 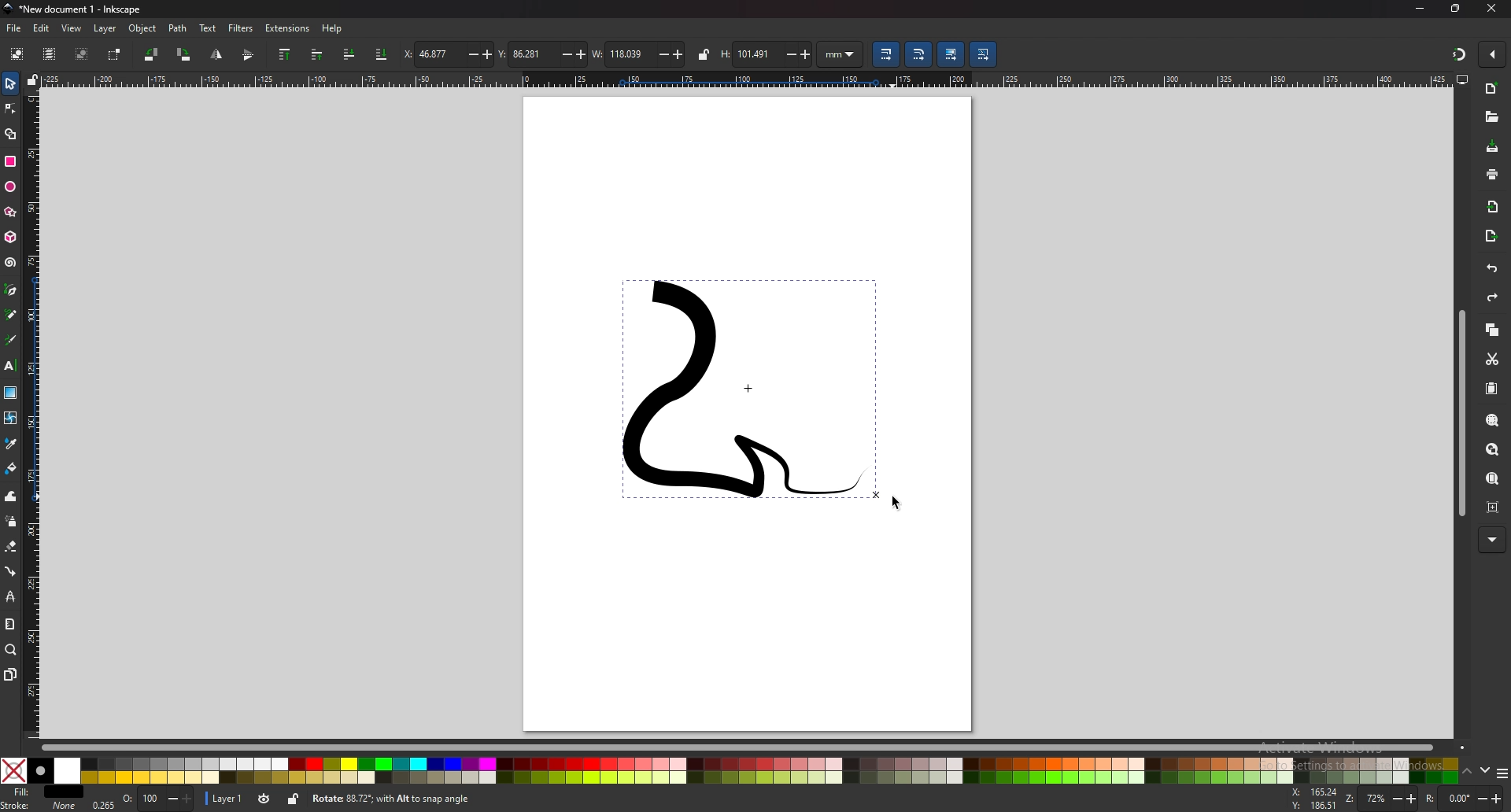 I want to click on lower selection one step, so click(x=349, y=54).